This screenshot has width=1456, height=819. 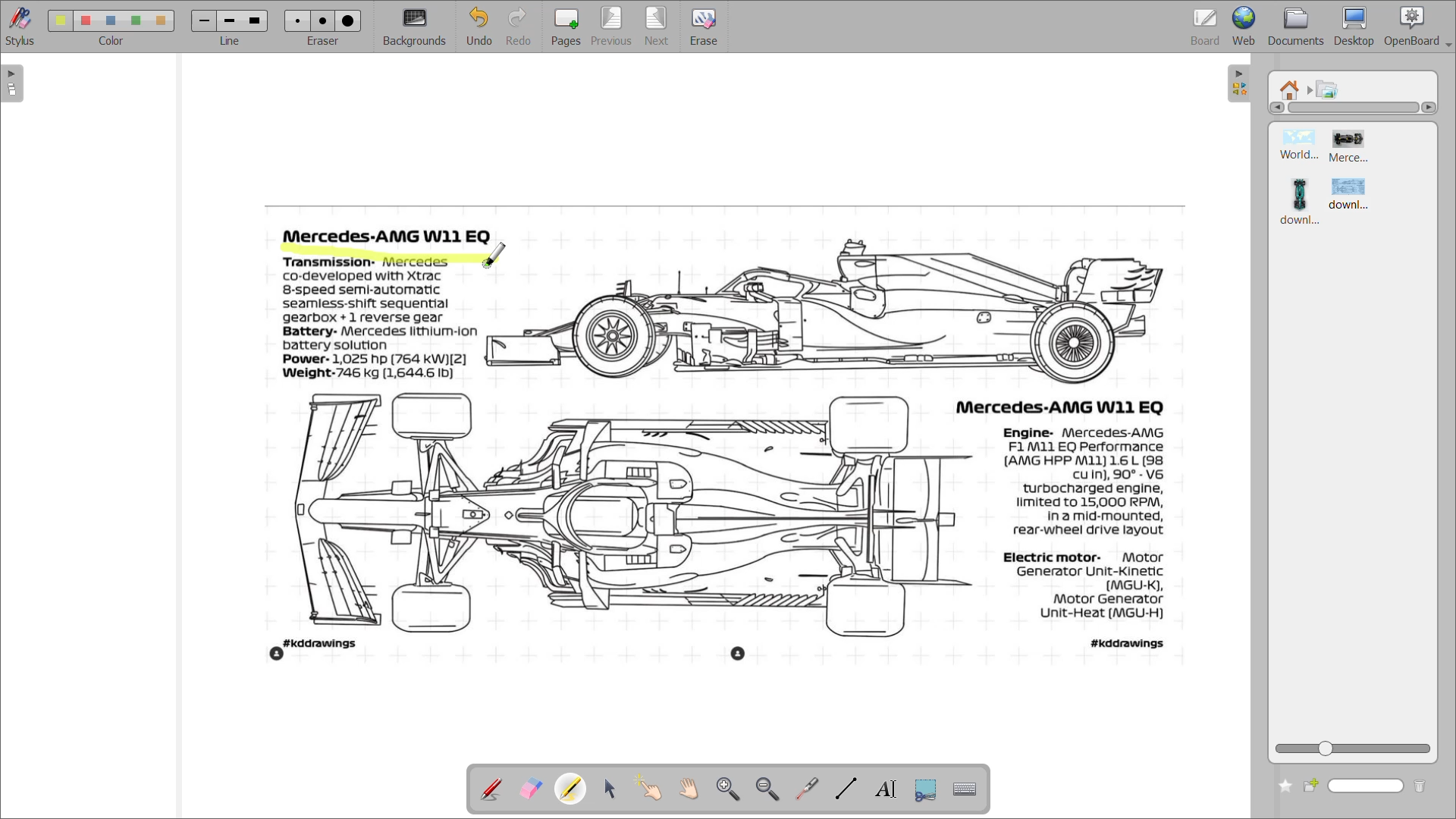 I want to click on color 3, so click(x=113, y=20).